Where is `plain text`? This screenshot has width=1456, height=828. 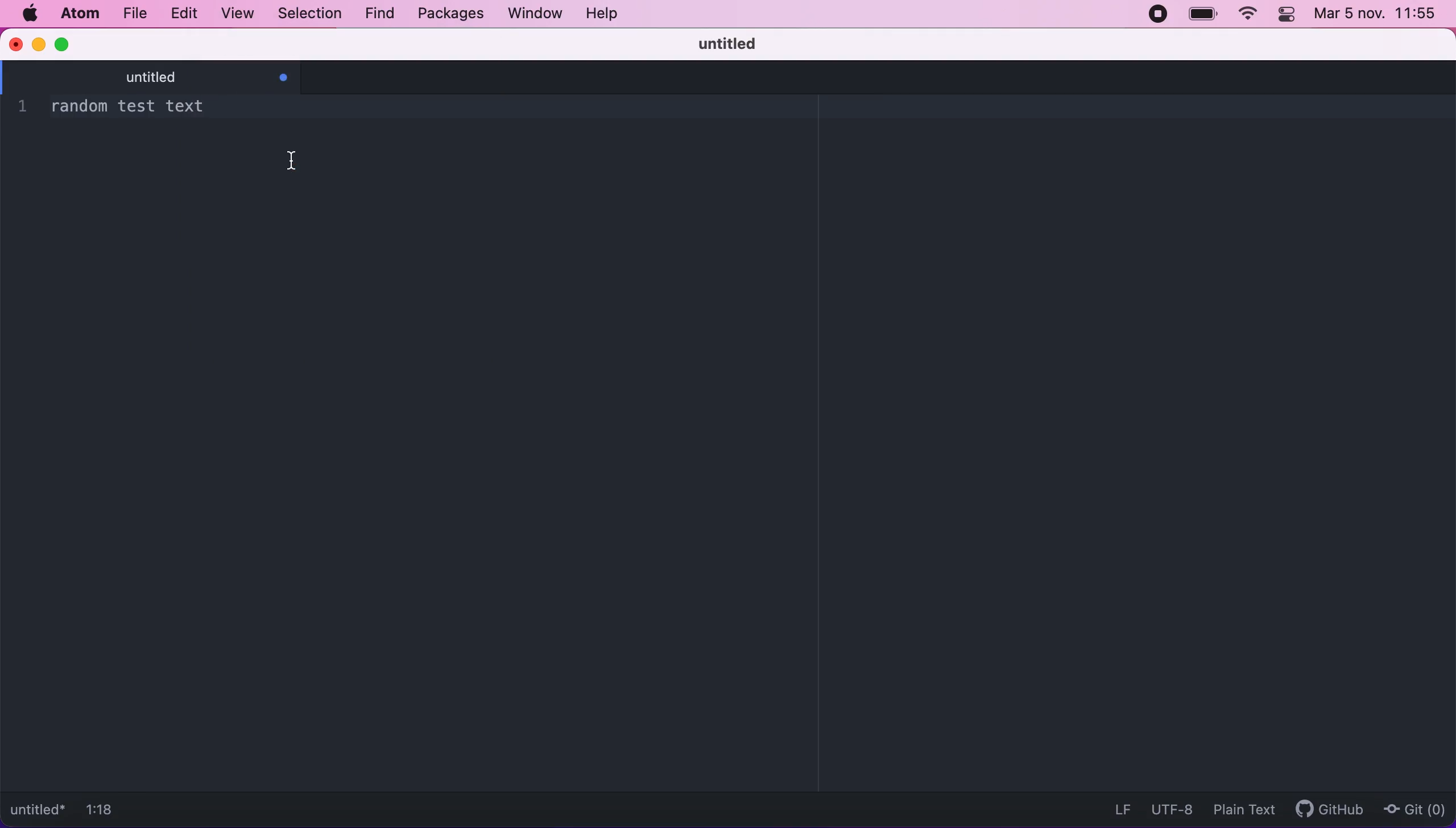 plain text is located at coordinates (1241, 810).